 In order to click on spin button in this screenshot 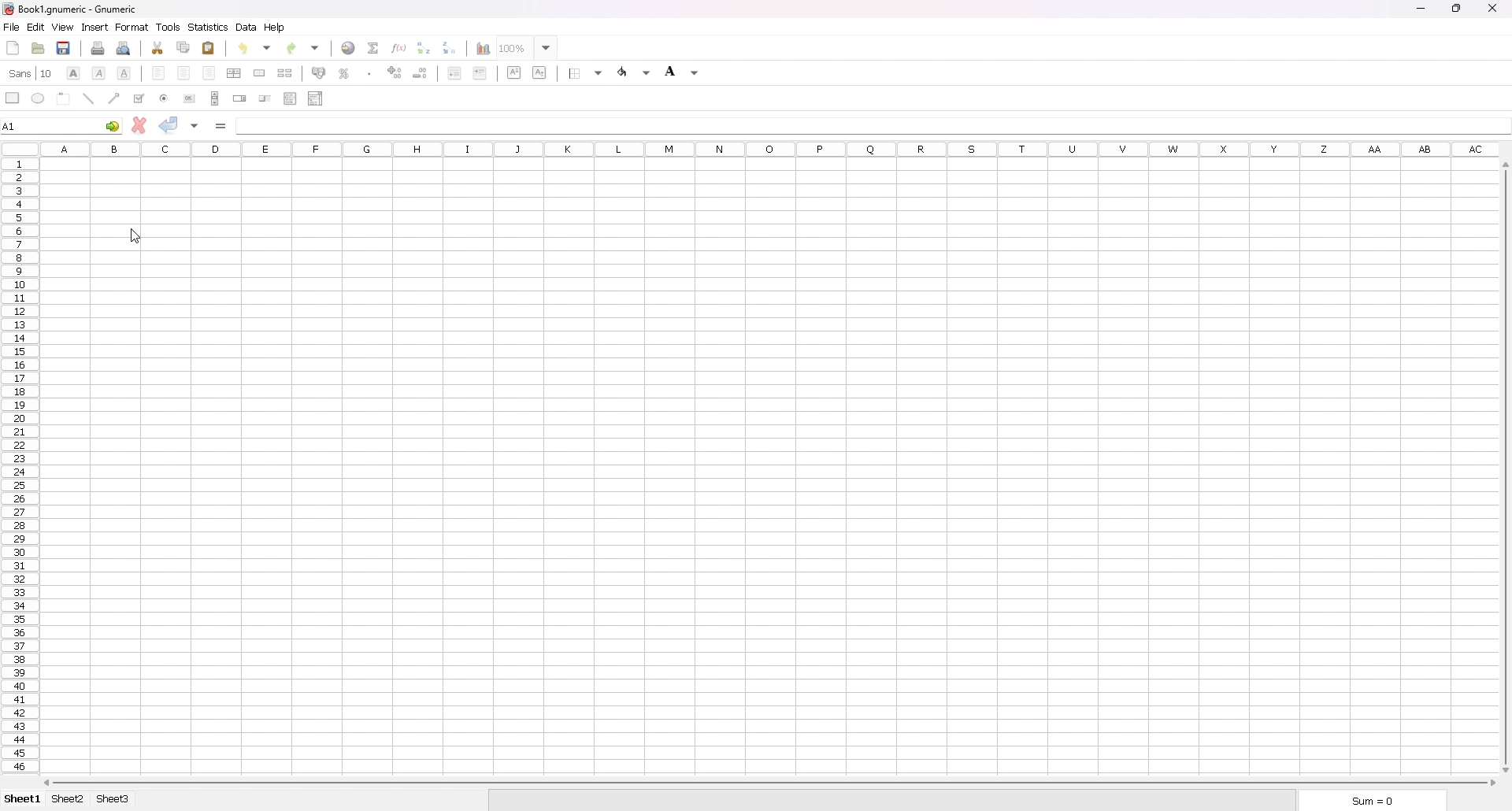, I will do `click(239, 99)`.